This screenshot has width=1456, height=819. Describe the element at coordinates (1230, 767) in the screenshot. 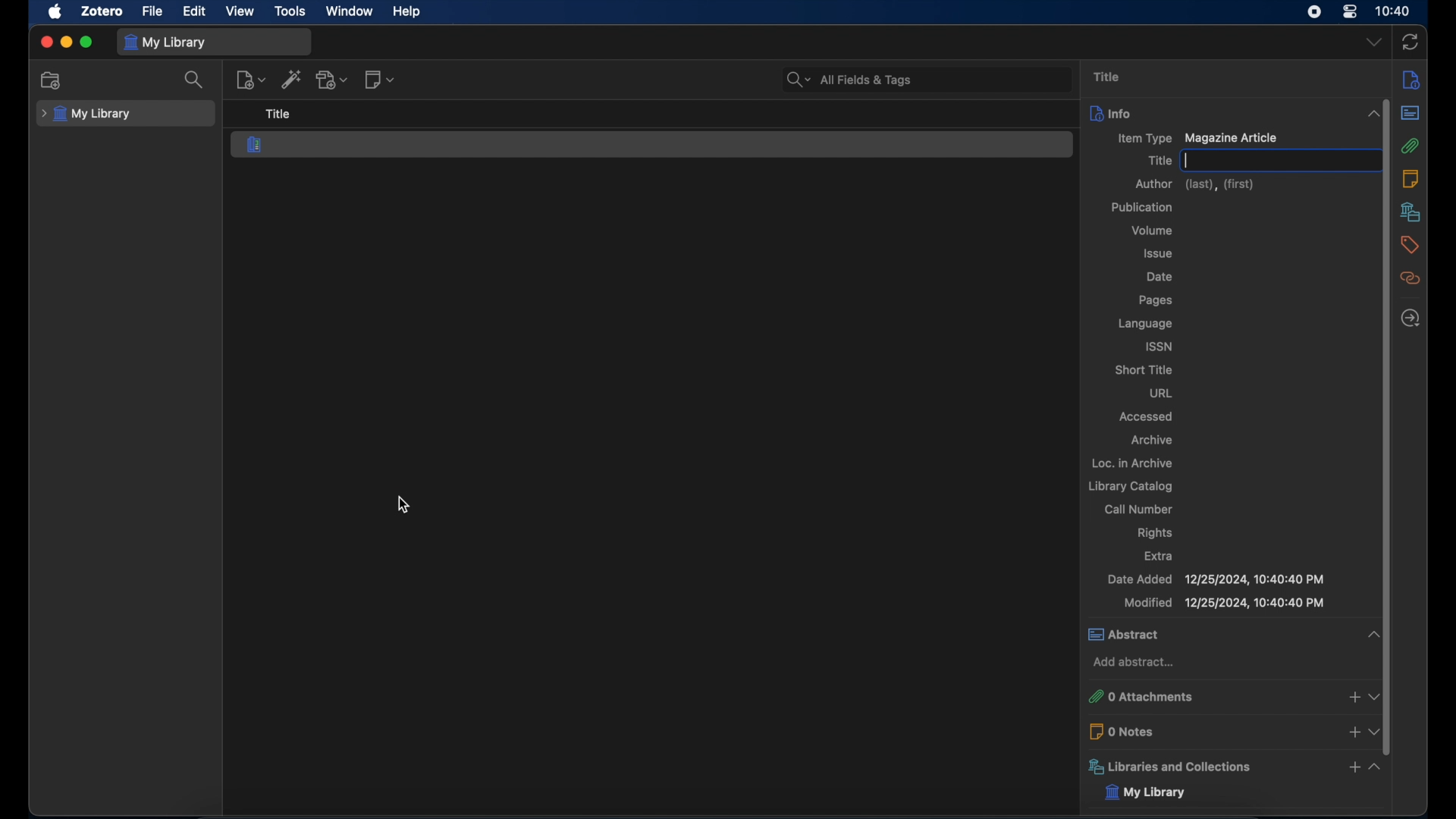

I see `libraries` at that location.